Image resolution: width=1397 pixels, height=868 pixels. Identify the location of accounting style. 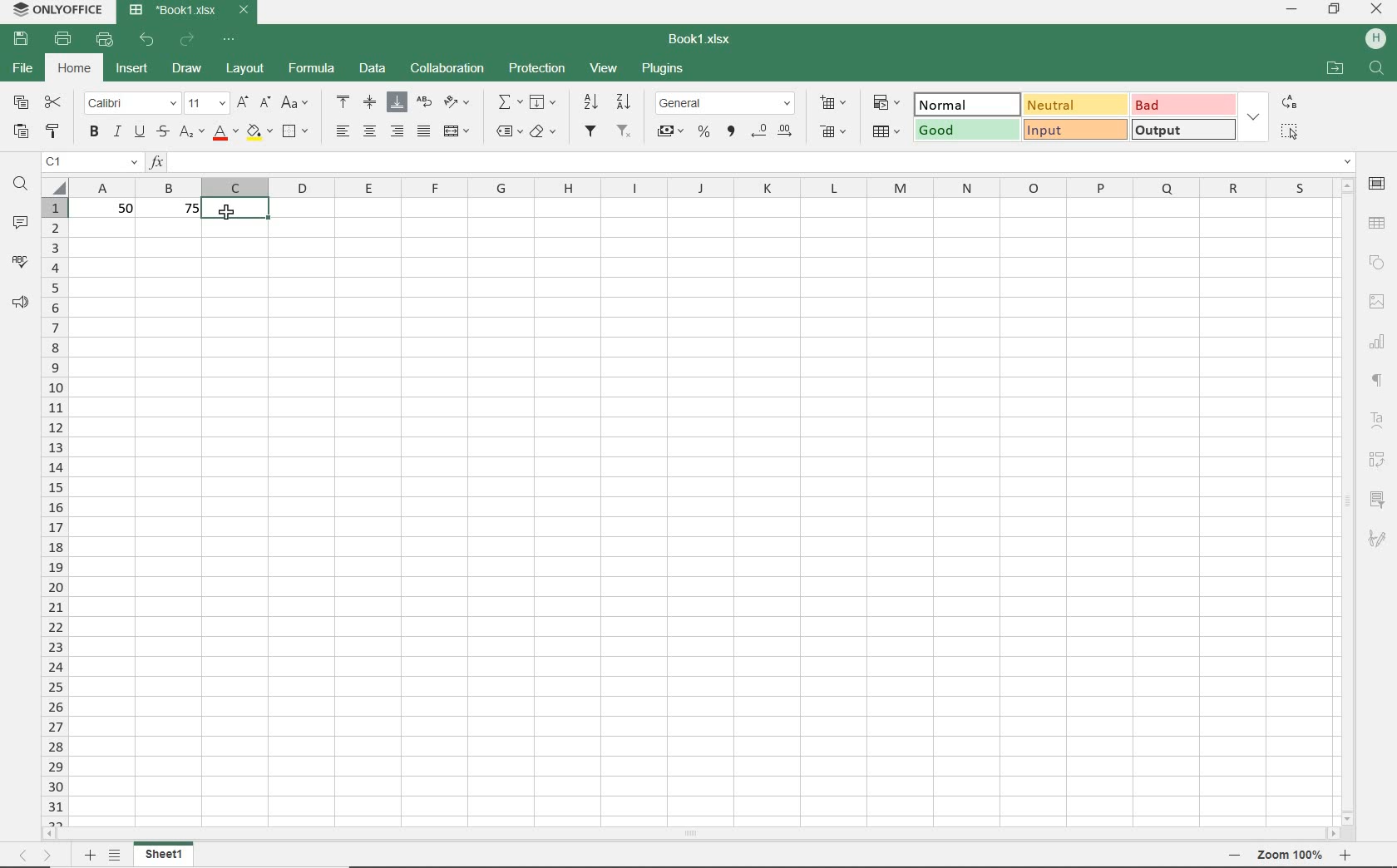
(671, 131).